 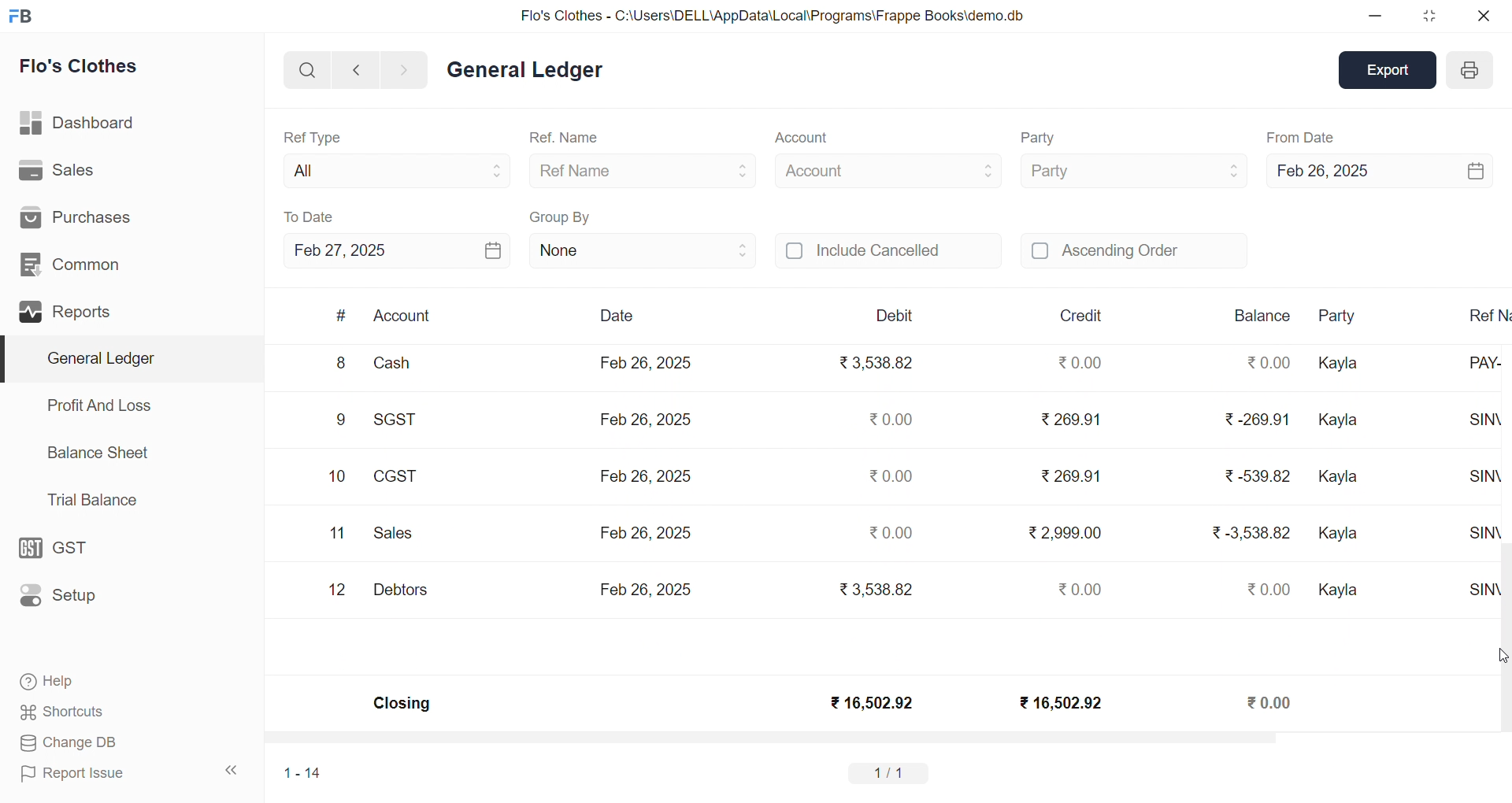 I want to click on SINV-, so click(x=1483, y=483).